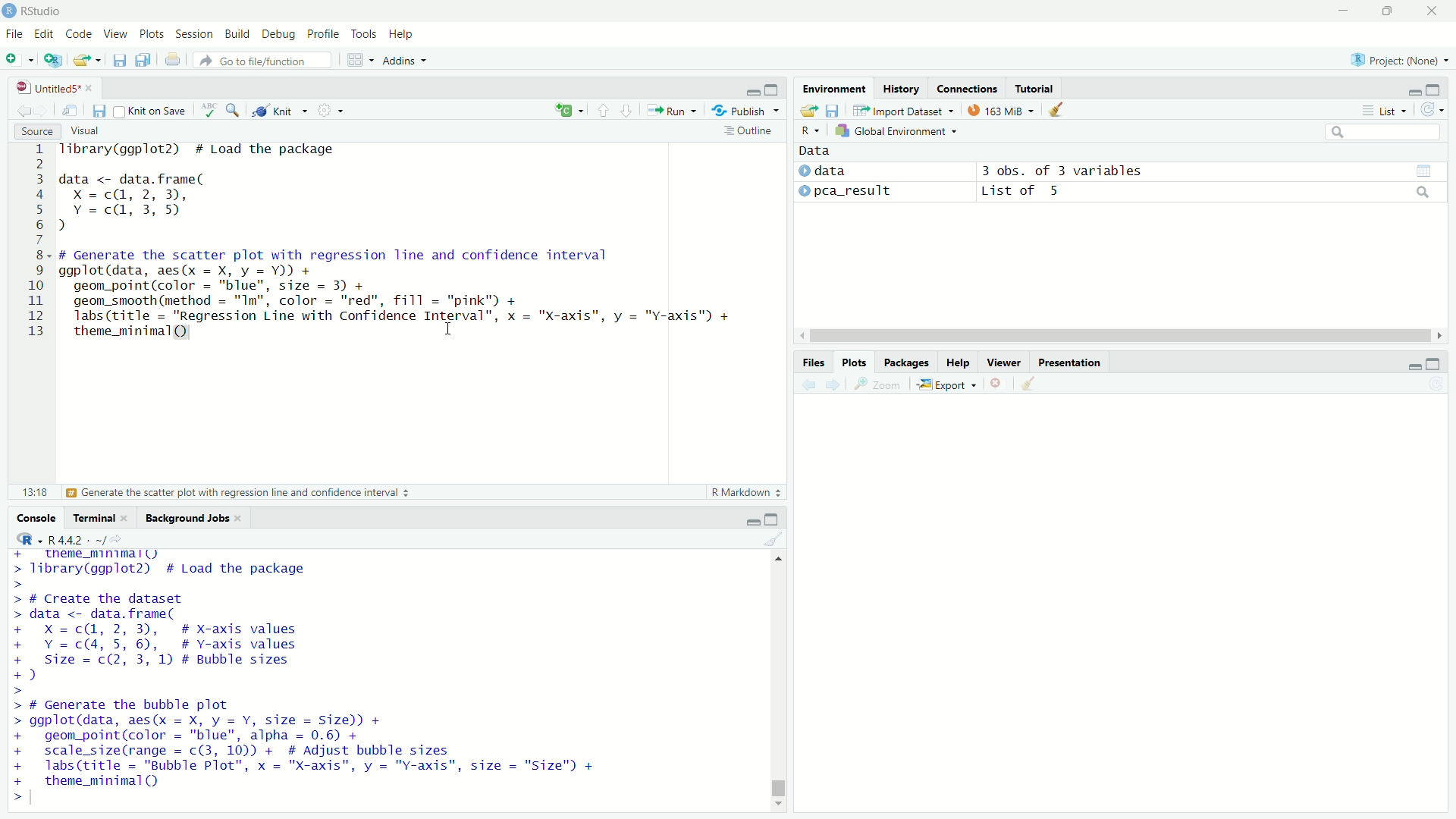 This screenshot has height=819, width=1456. Describe the element at coordinates (52, 60) in the screenshot. I see `Create a project` at that location.